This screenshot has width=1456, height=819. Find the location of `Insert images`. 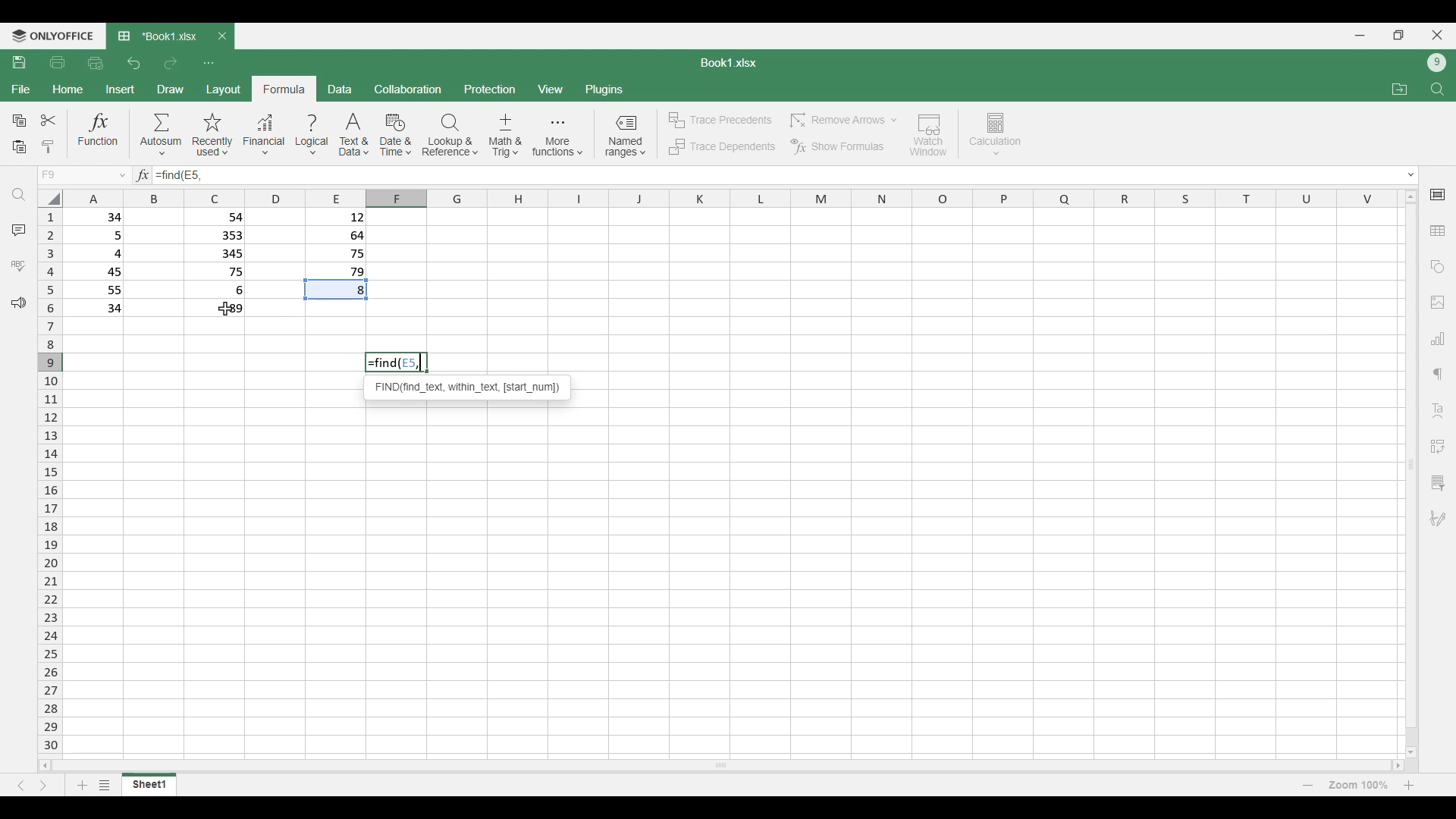

Insert images is located at coordinates (1438, 303).